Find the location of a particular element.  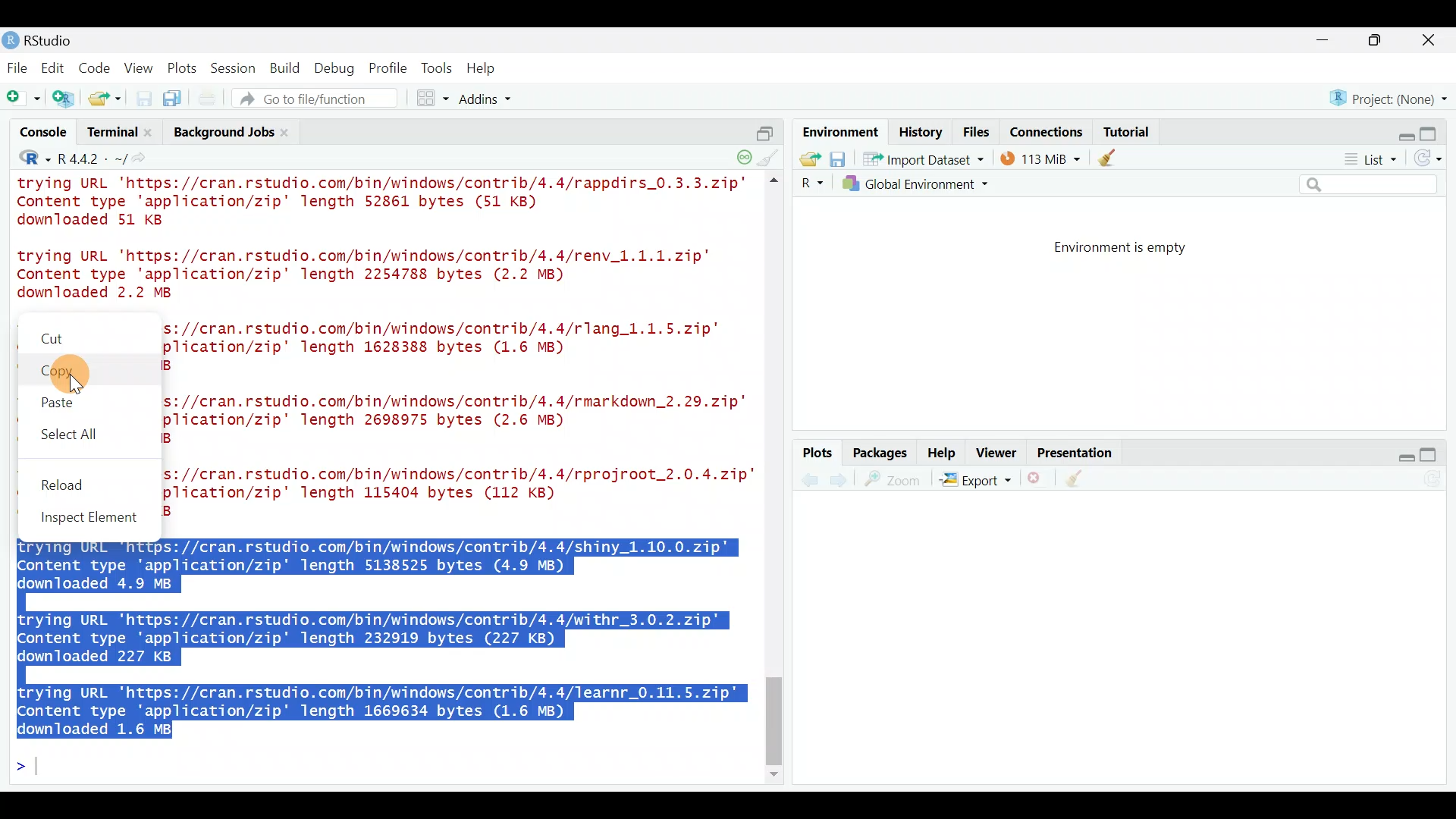

Addins is located at coordinates (487, 101).